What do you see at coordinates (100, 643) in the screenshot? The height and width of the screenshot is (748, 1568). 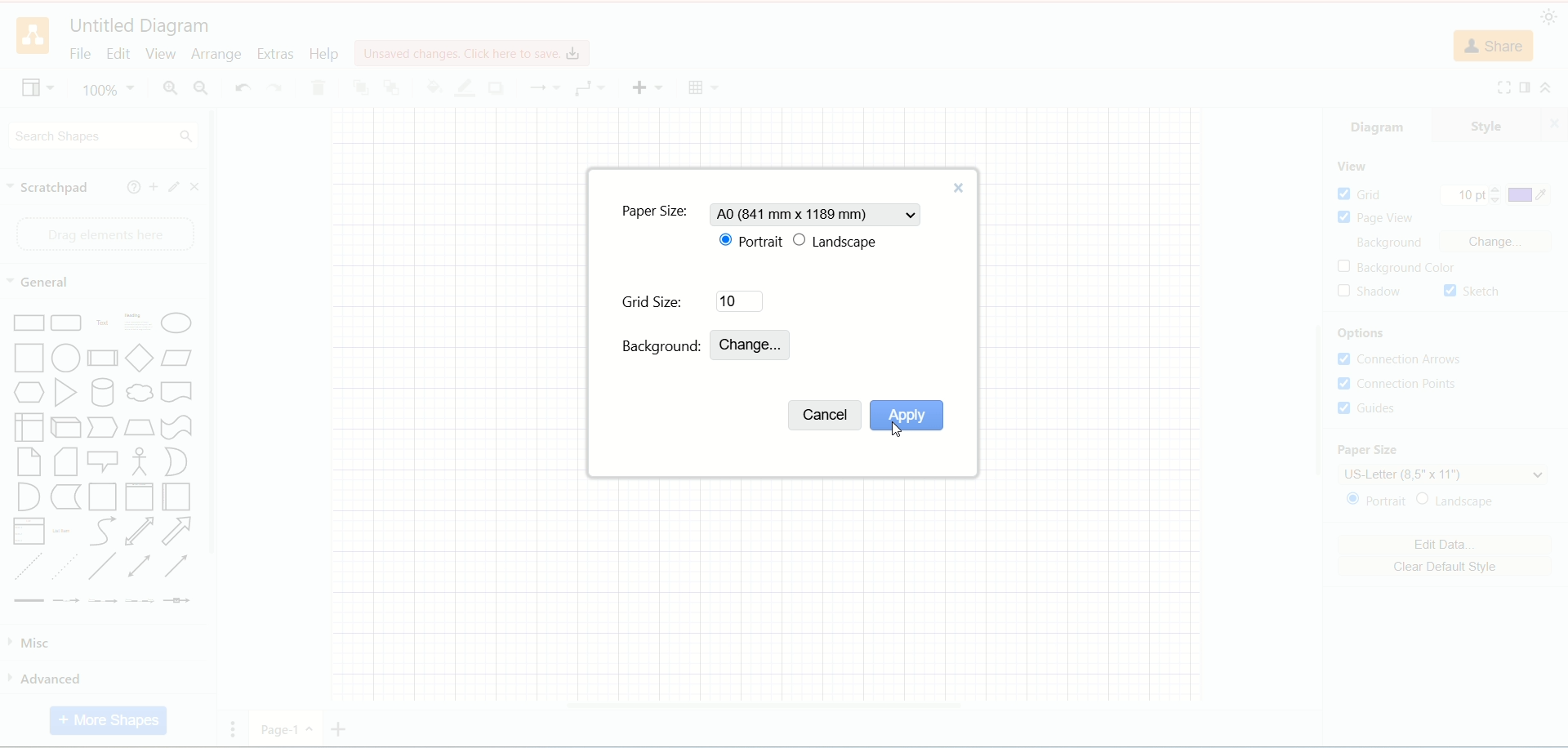 I see `misc` at bounding box center [100, 643].